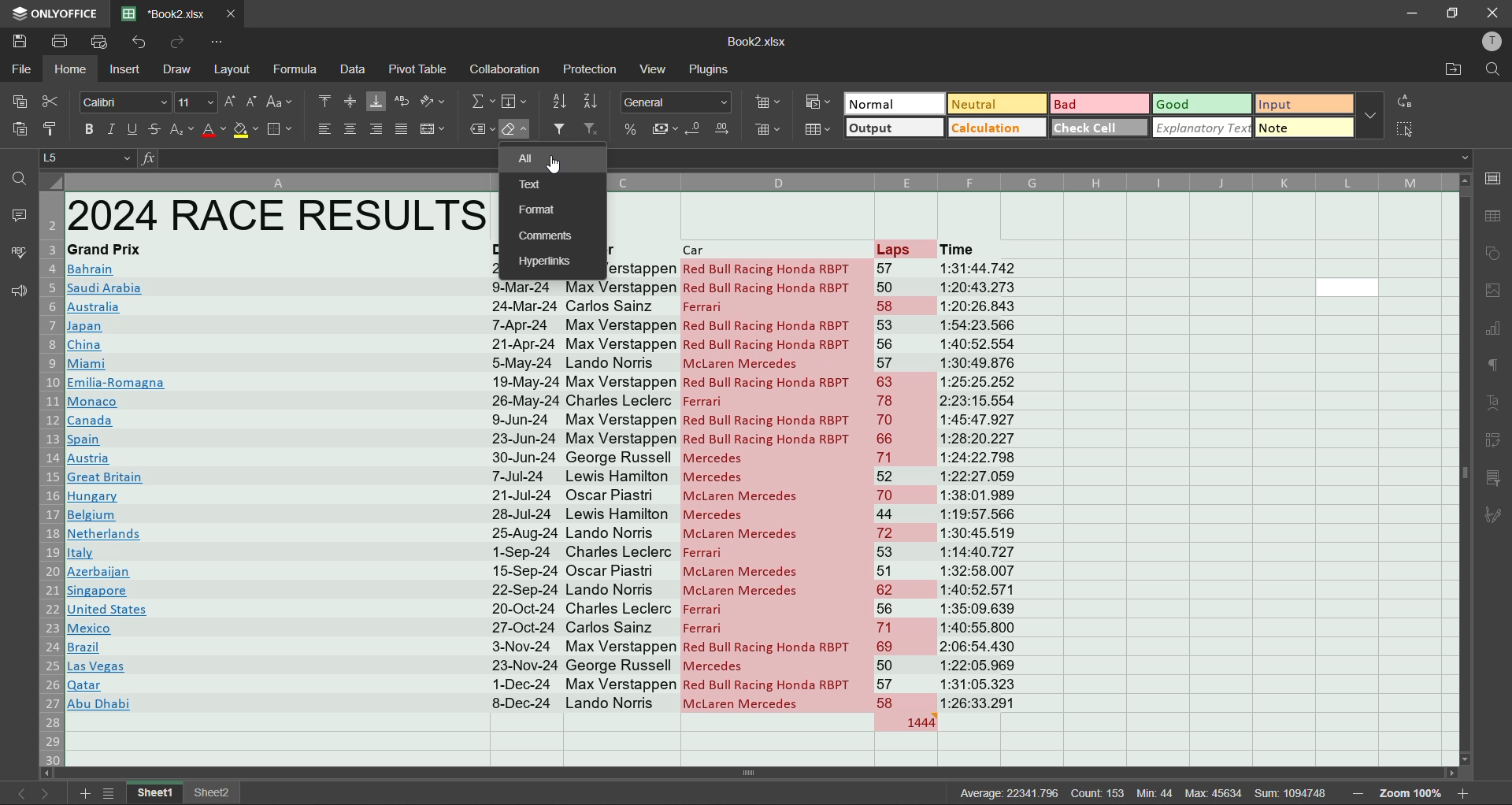 This screenshot has height=805, width=1512. Describe the element at coordinates (816, 101) in the screenshot. I see `conditional formatting` at that location.